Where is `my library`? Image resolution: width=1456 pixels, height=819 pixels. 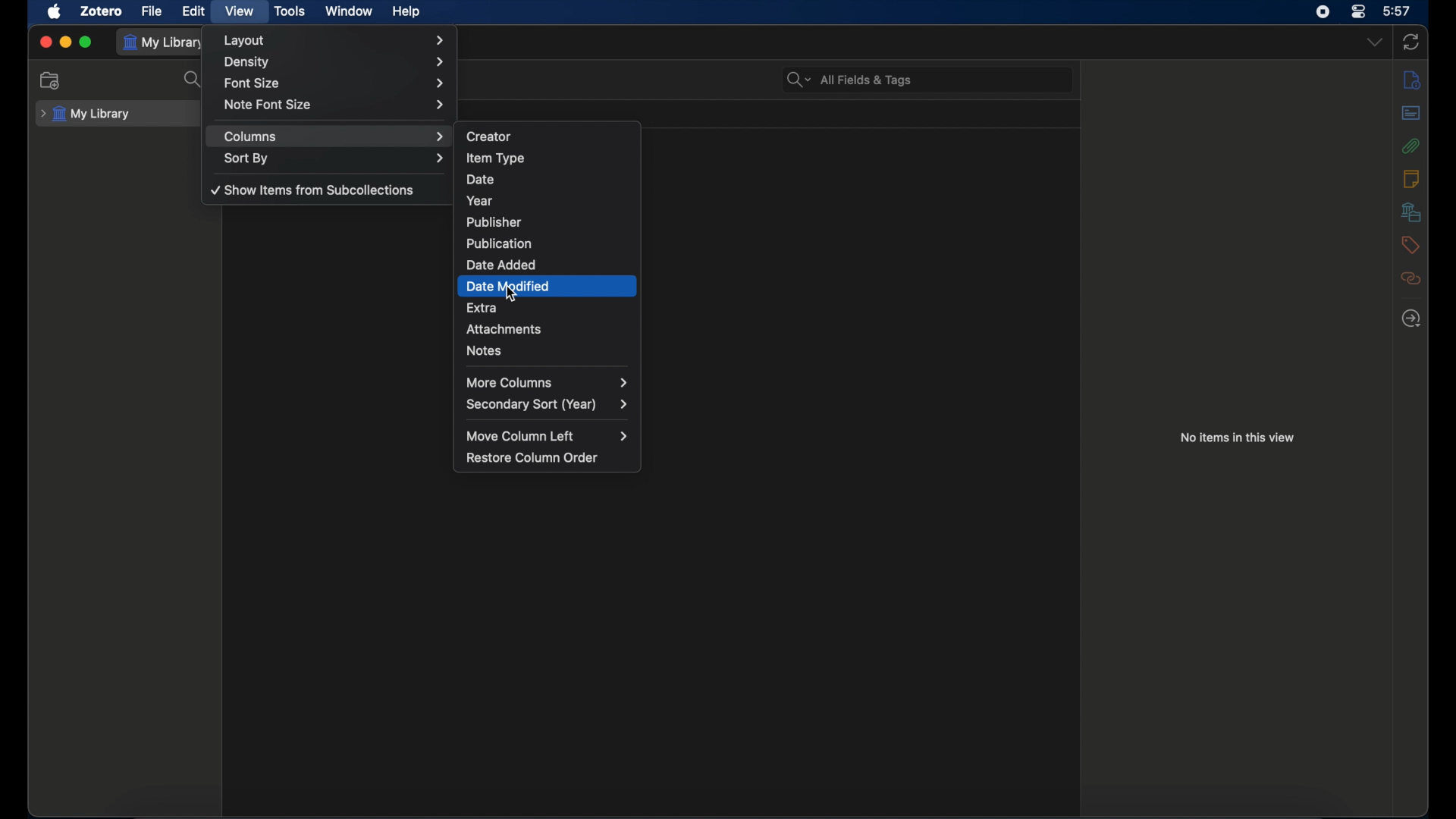
my library is located at coordinates (86, 114).